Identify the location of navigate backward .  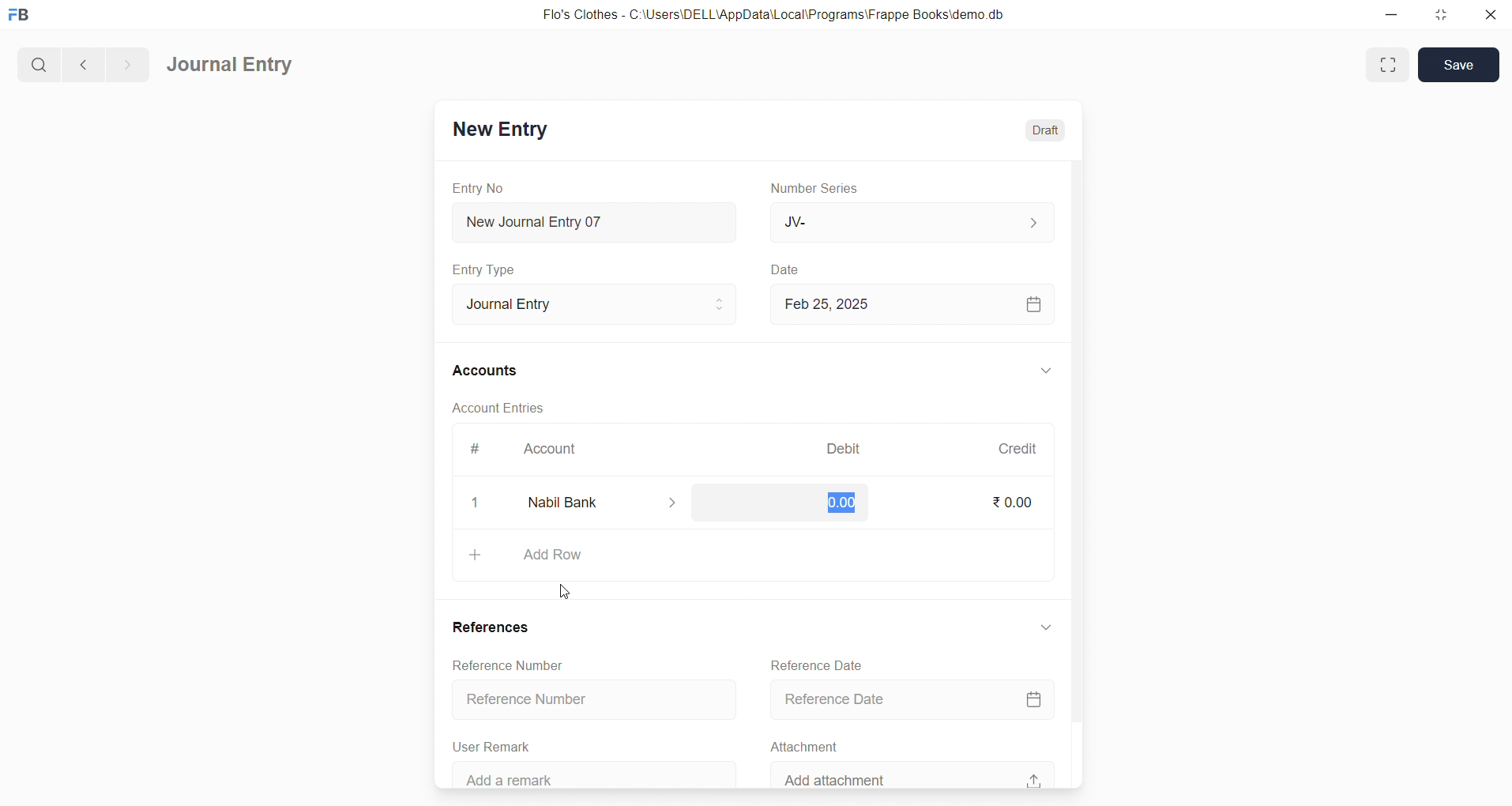
(81, 62).